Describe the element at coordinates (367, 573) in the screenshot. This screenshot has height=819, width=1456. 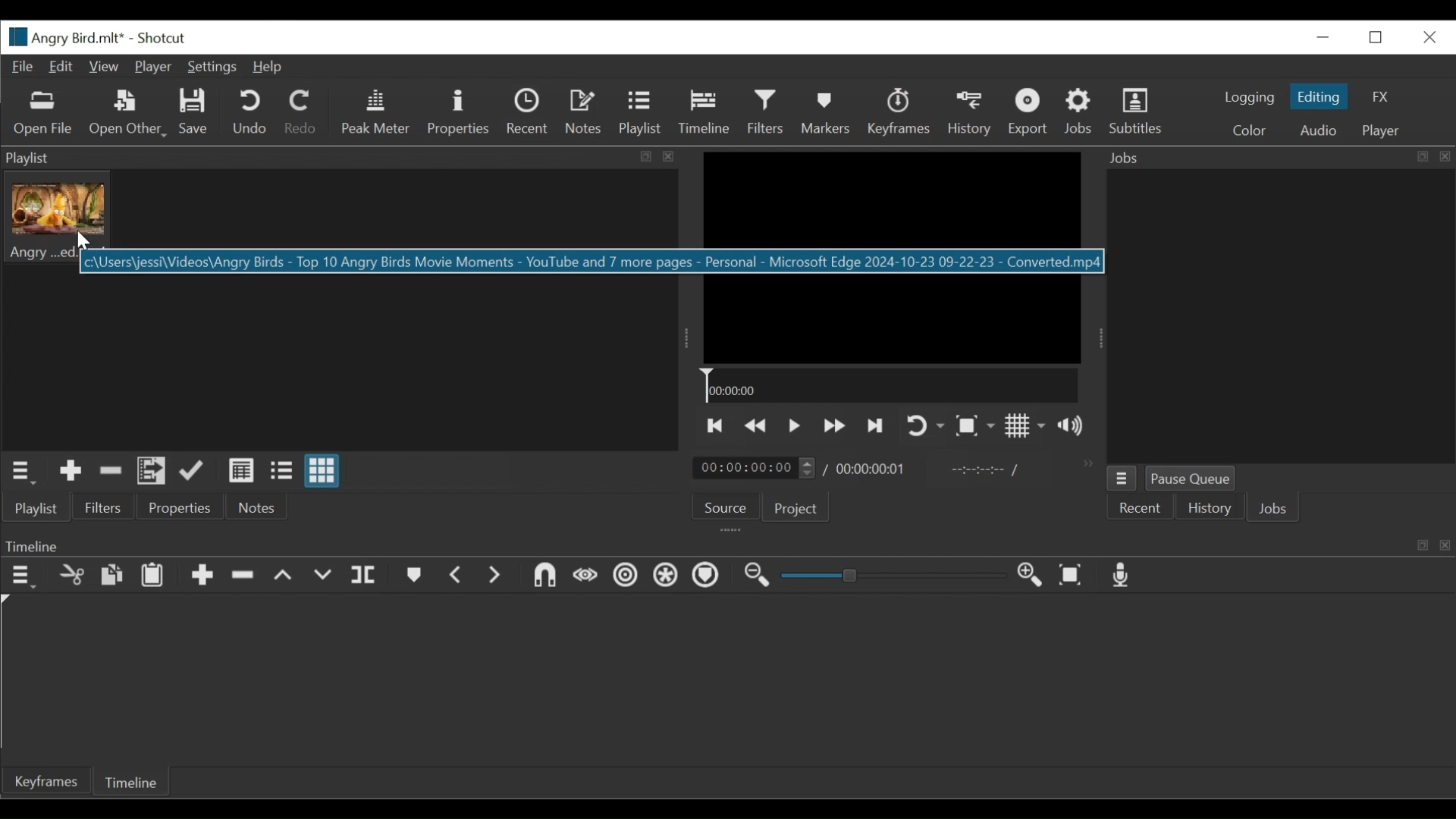
I see `split` at that location.